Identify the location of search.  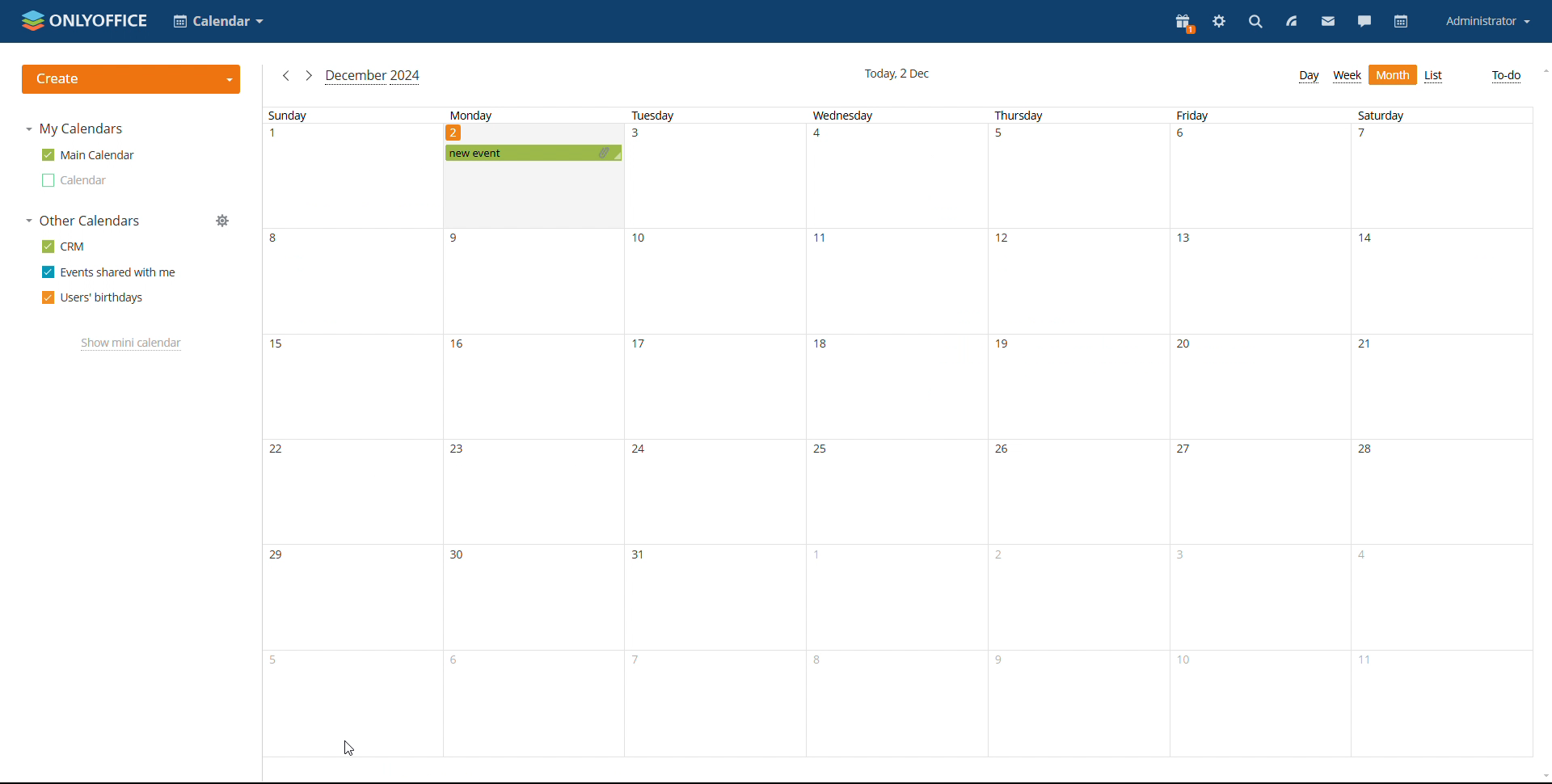
(1256, 23).